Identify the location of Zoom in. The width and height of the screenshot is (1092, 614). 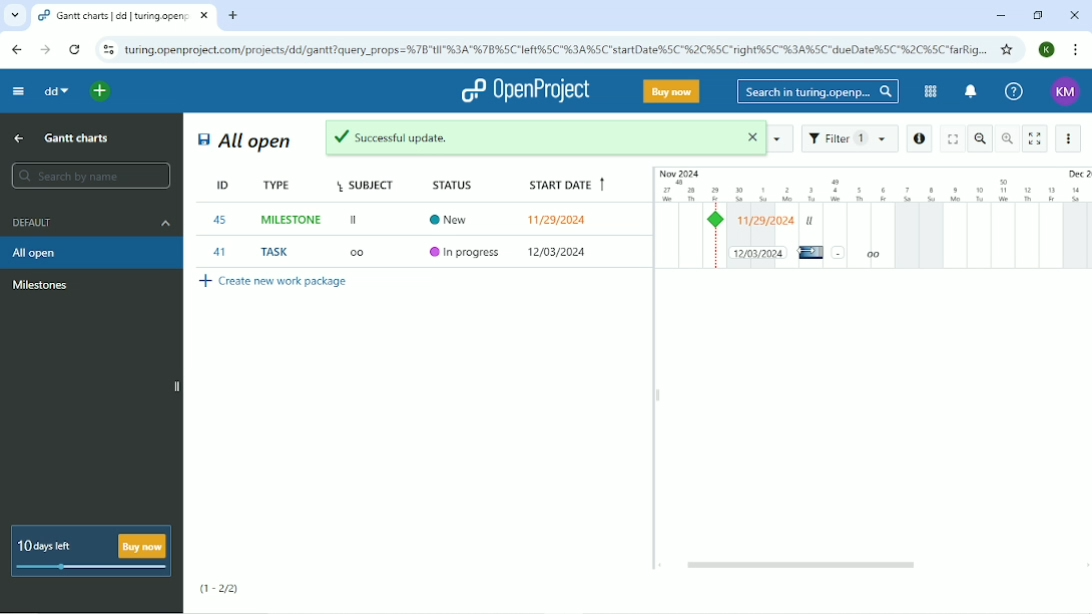
(1007, 138).